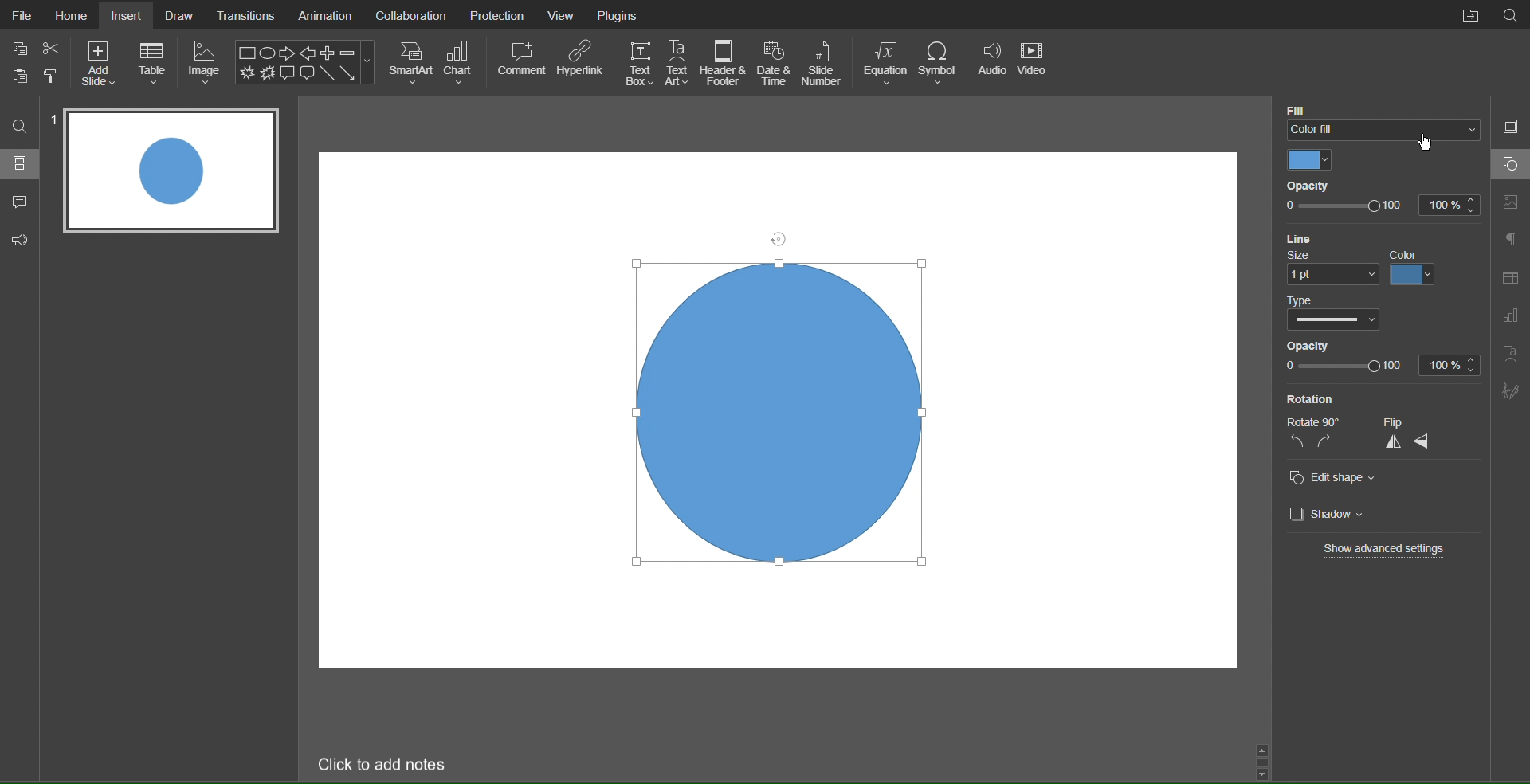 This screenshot has height=784, width=1530. What do you see at coordinates (1379, 110) in the screenshot?
I see `Fill` at bounding box center [1379, 110].